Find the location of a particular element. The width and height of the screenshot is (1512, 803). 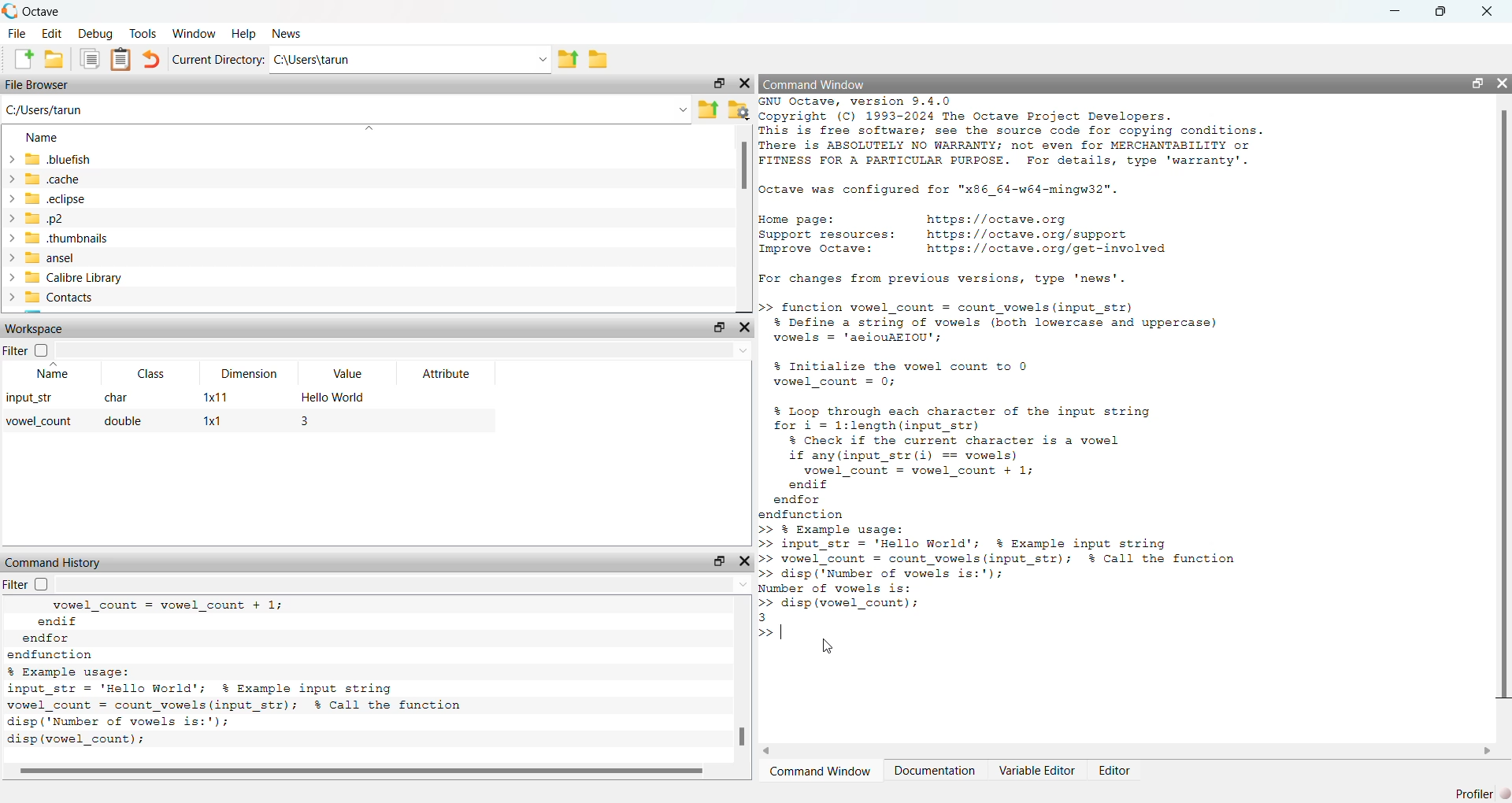

Documentation is located at coordinates (935, 771).